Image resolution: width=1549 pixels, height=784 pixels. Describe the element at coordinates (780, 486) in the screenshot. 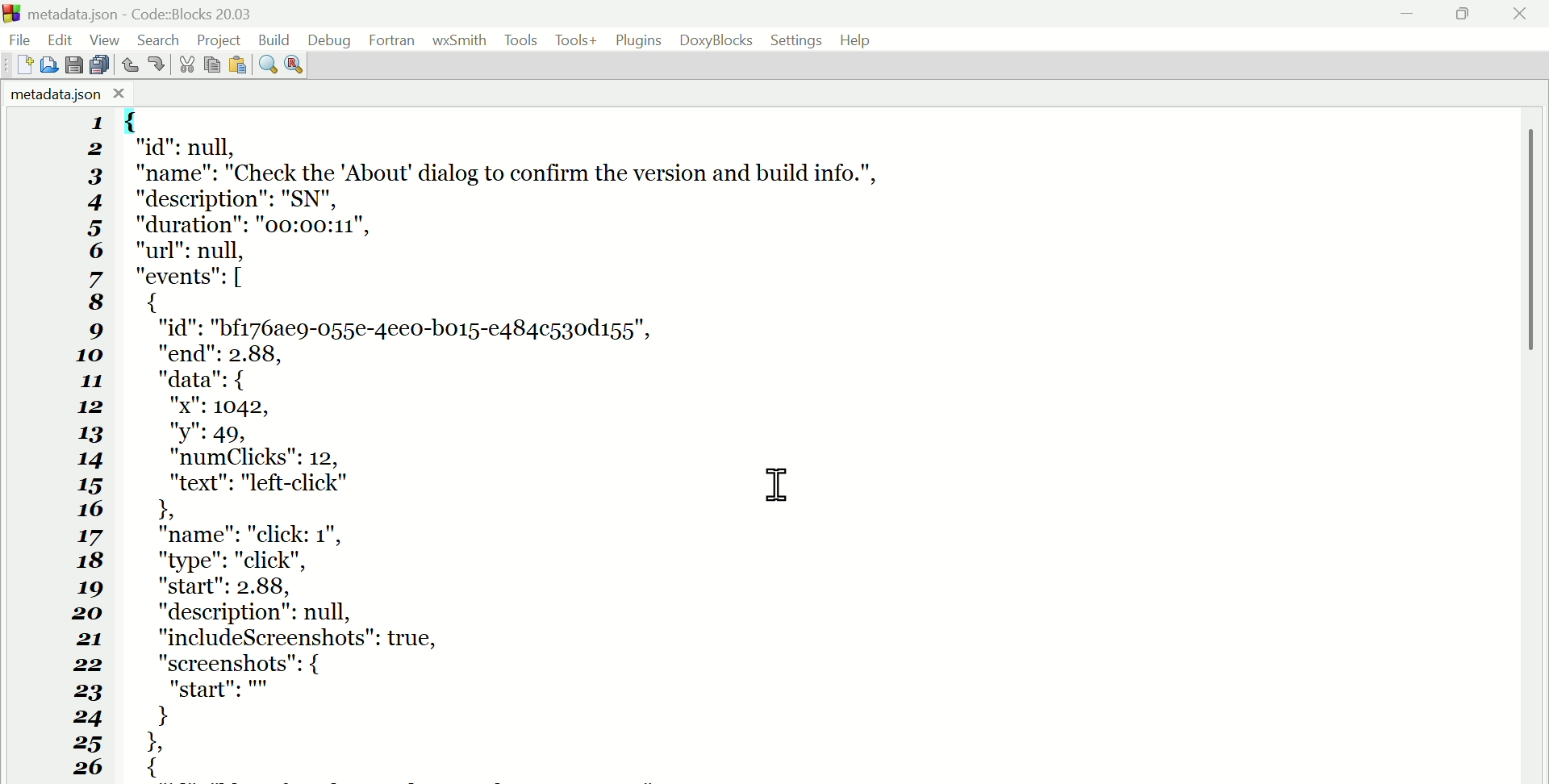

I see `cursor` at that location.